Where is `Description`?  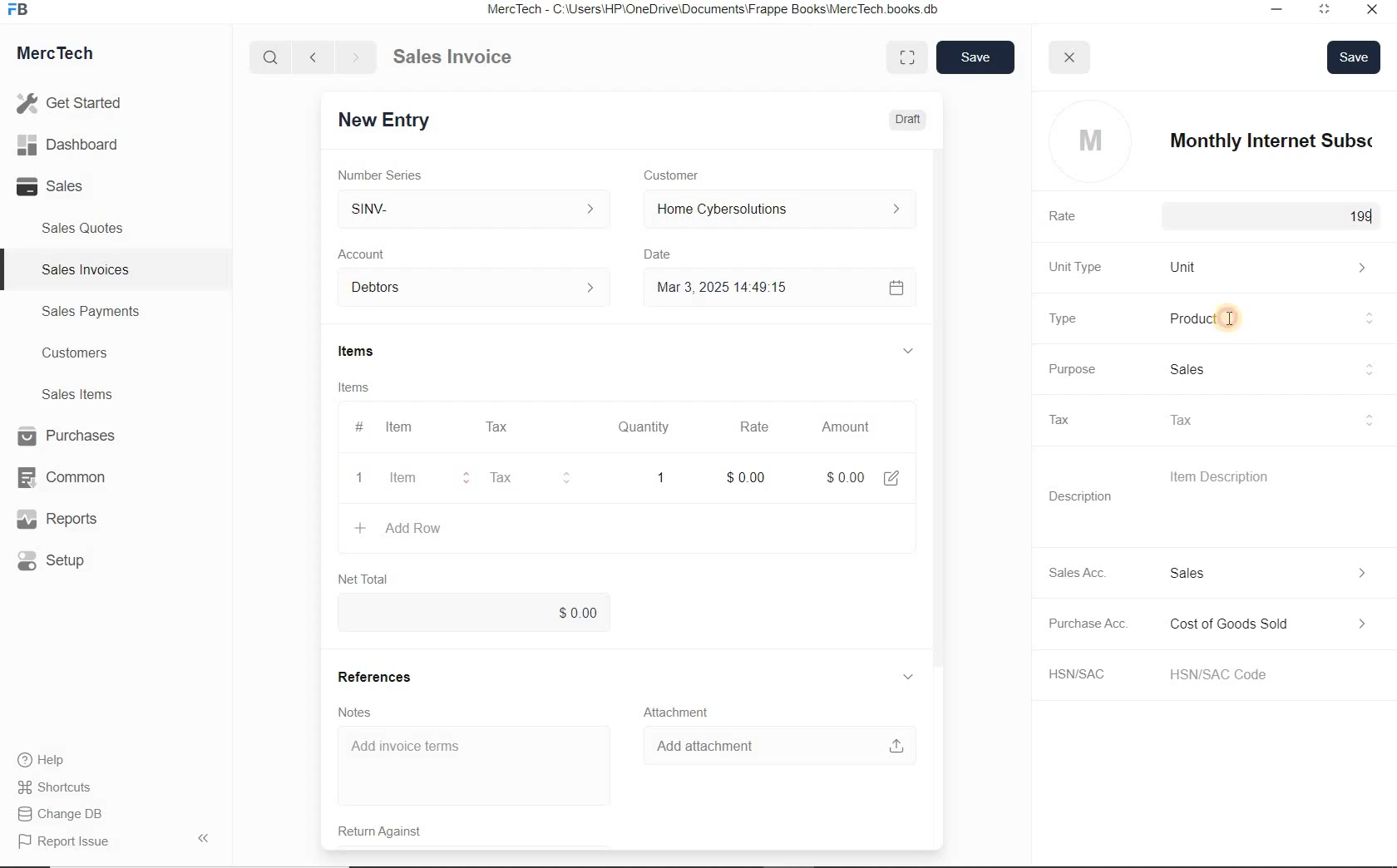 Description is located at coordinates (1081, 496).